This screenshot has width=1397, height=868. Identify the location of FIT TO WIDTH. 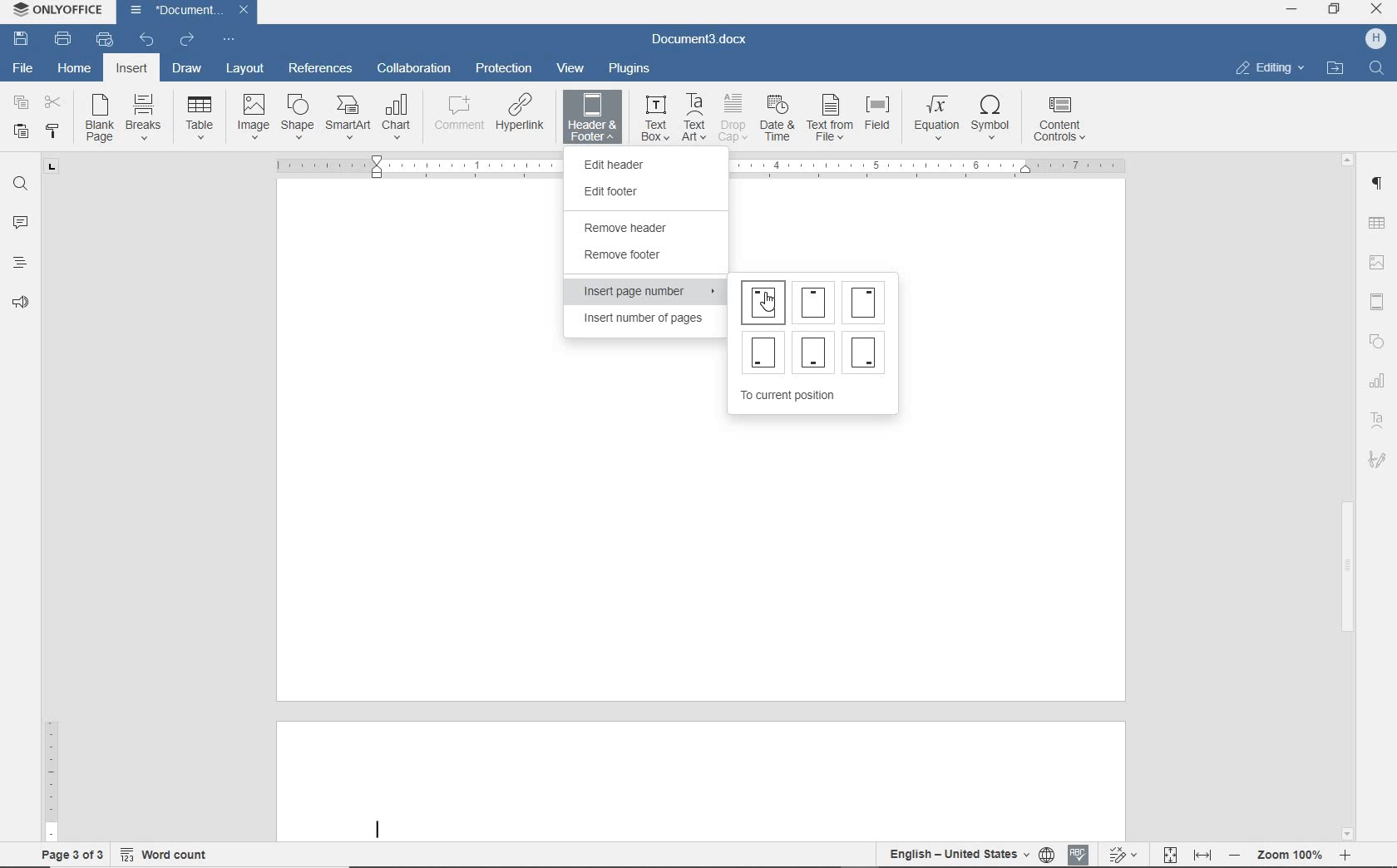
(1202, 855).